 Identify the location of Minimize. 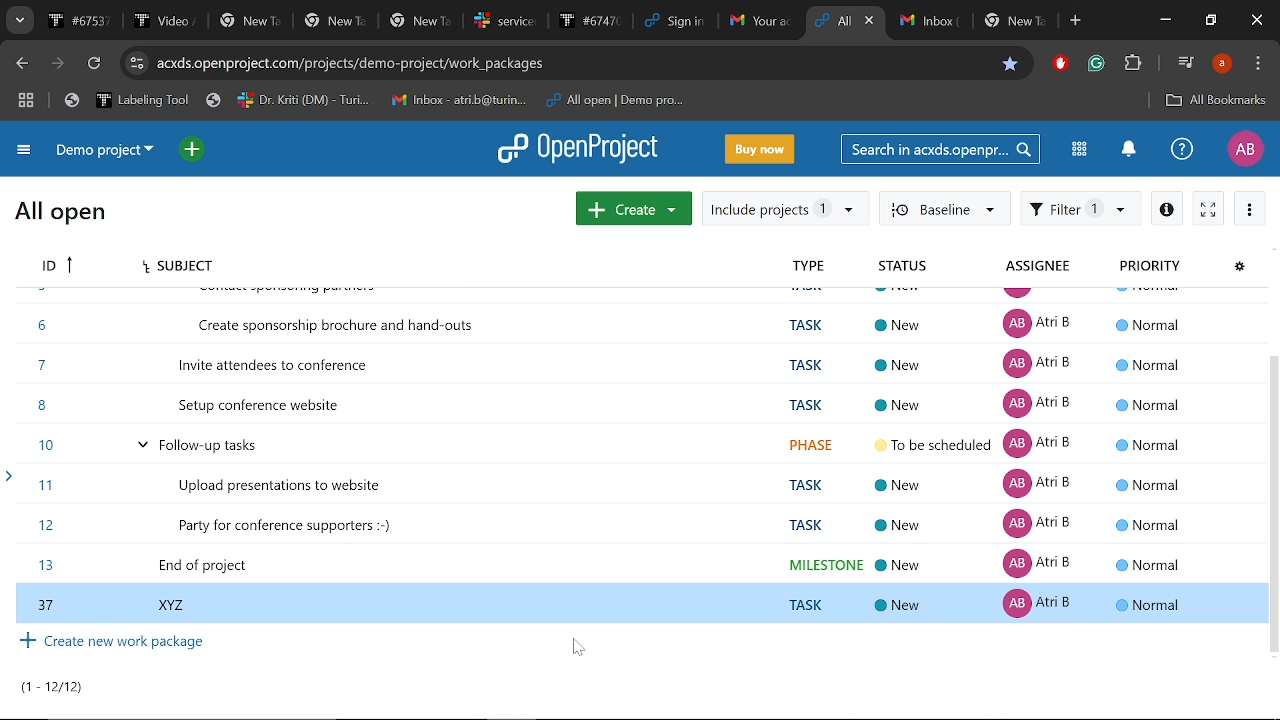
(1162, 18).